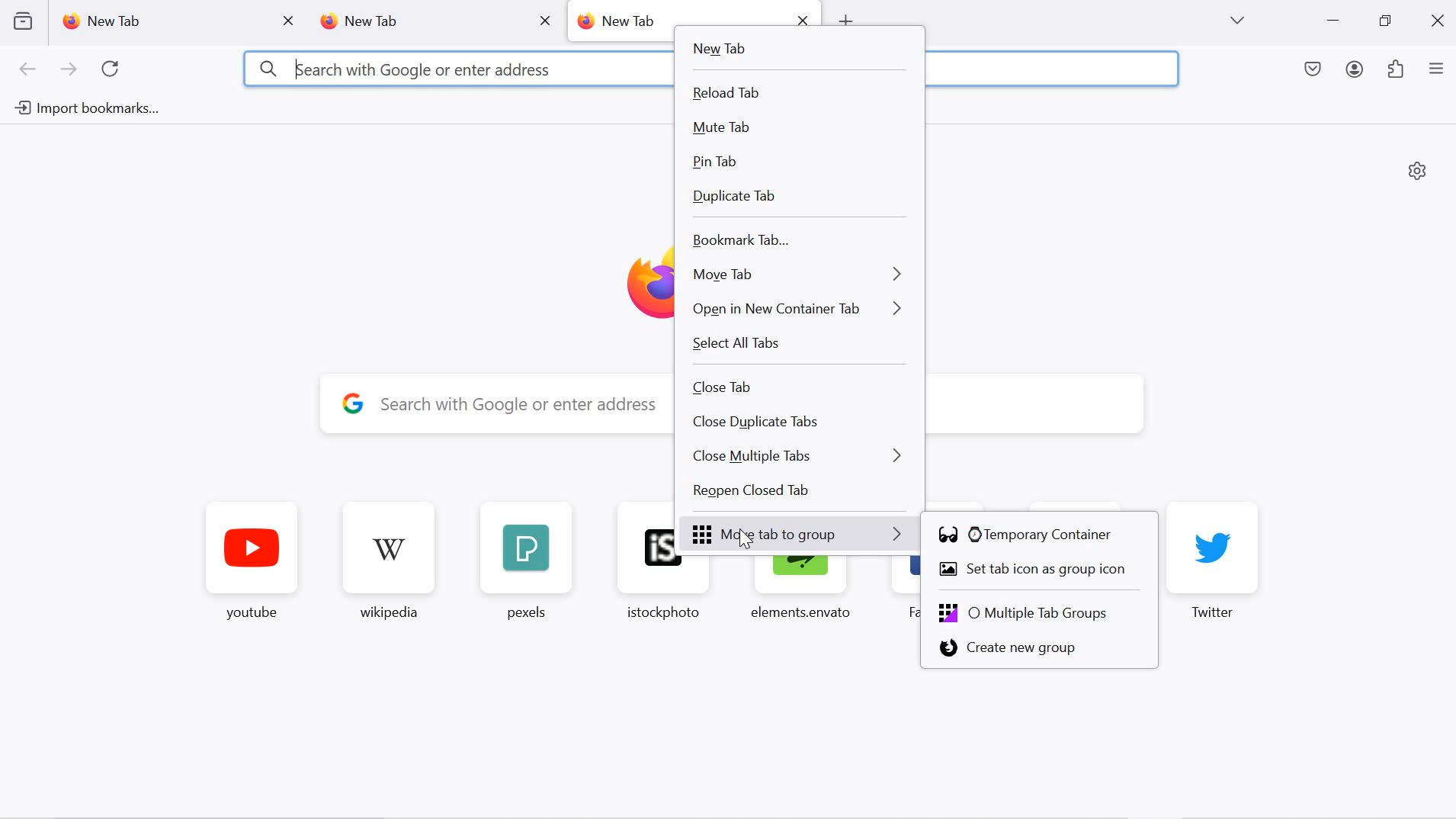 This screenshot has height=819, width=1456. Describe the element at coordinates (747, 539) in the screenshot. I see `cursor` at that location.